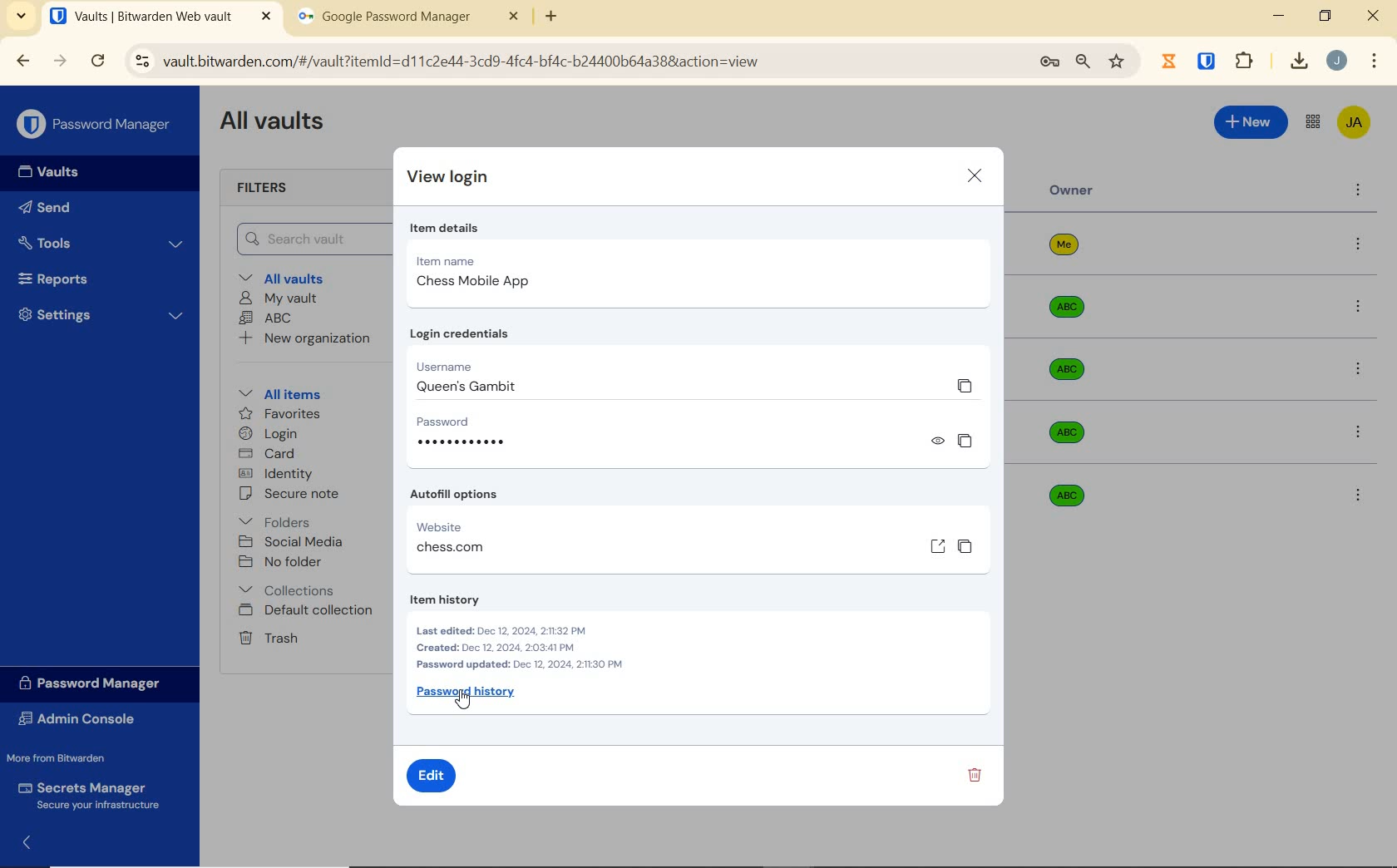 Image resolution: width=1397 pixels, height=868 pixels. Describe the element at coordinates (1362, 435) in the screenshot. I see `more options` at that location.